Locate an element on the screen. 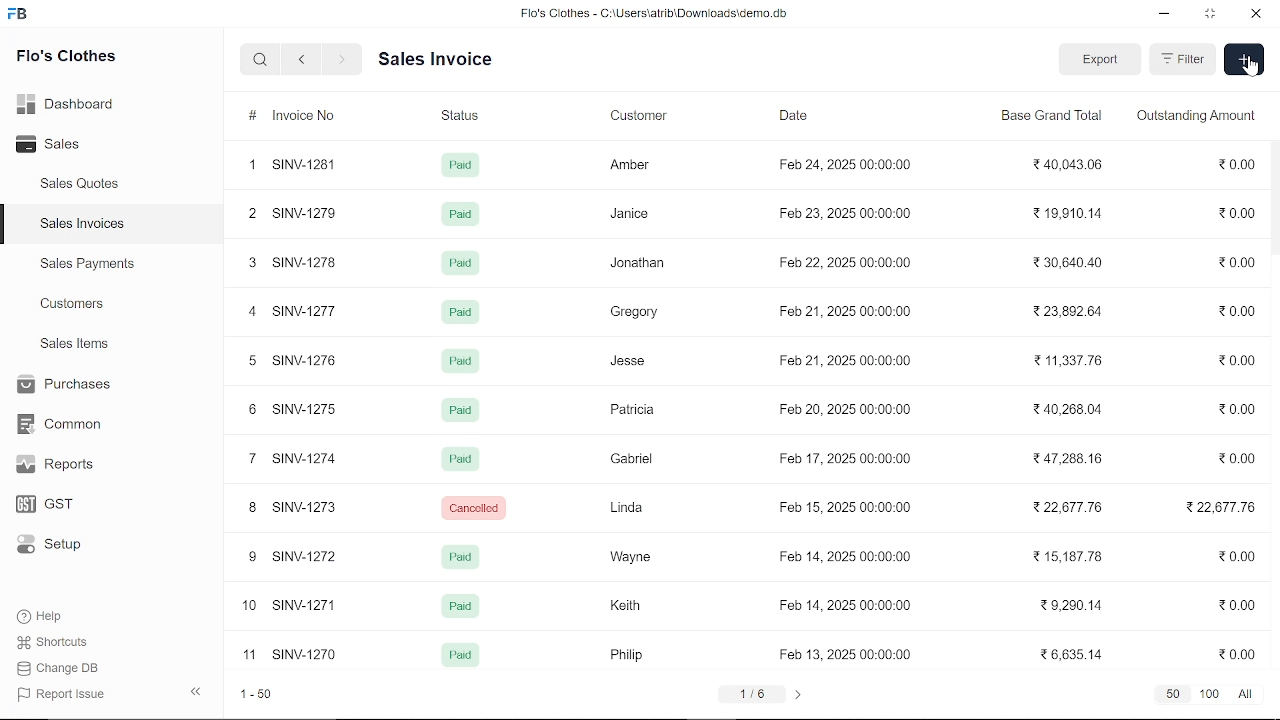 This screenshot has height=720, width=1280. Customers is located at coordinates (74, 303).